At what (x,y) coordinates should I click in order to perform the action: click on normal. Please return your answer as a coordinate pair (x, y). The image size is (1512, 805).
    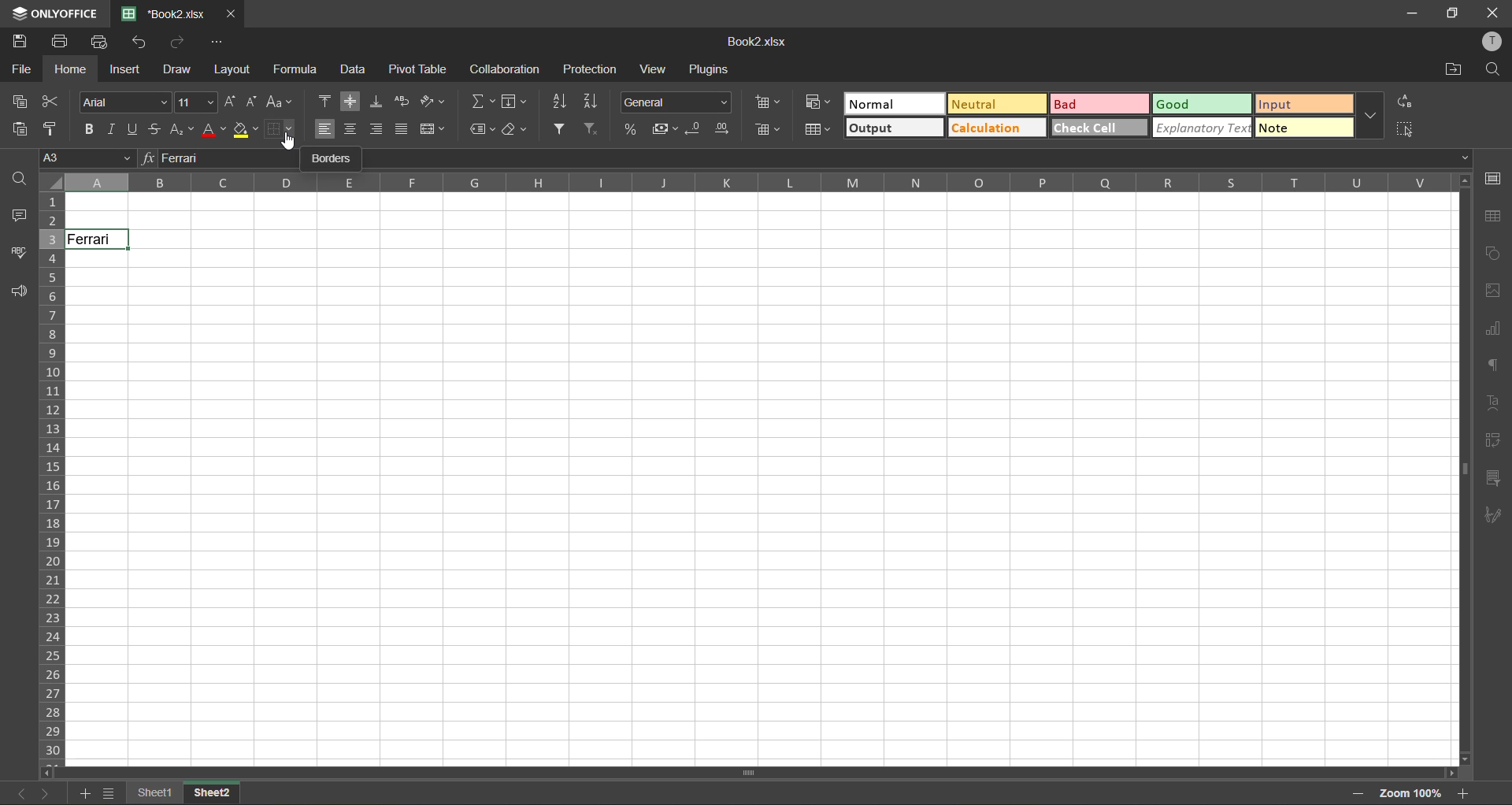
    Looking at the image, I should click on (893, 103).